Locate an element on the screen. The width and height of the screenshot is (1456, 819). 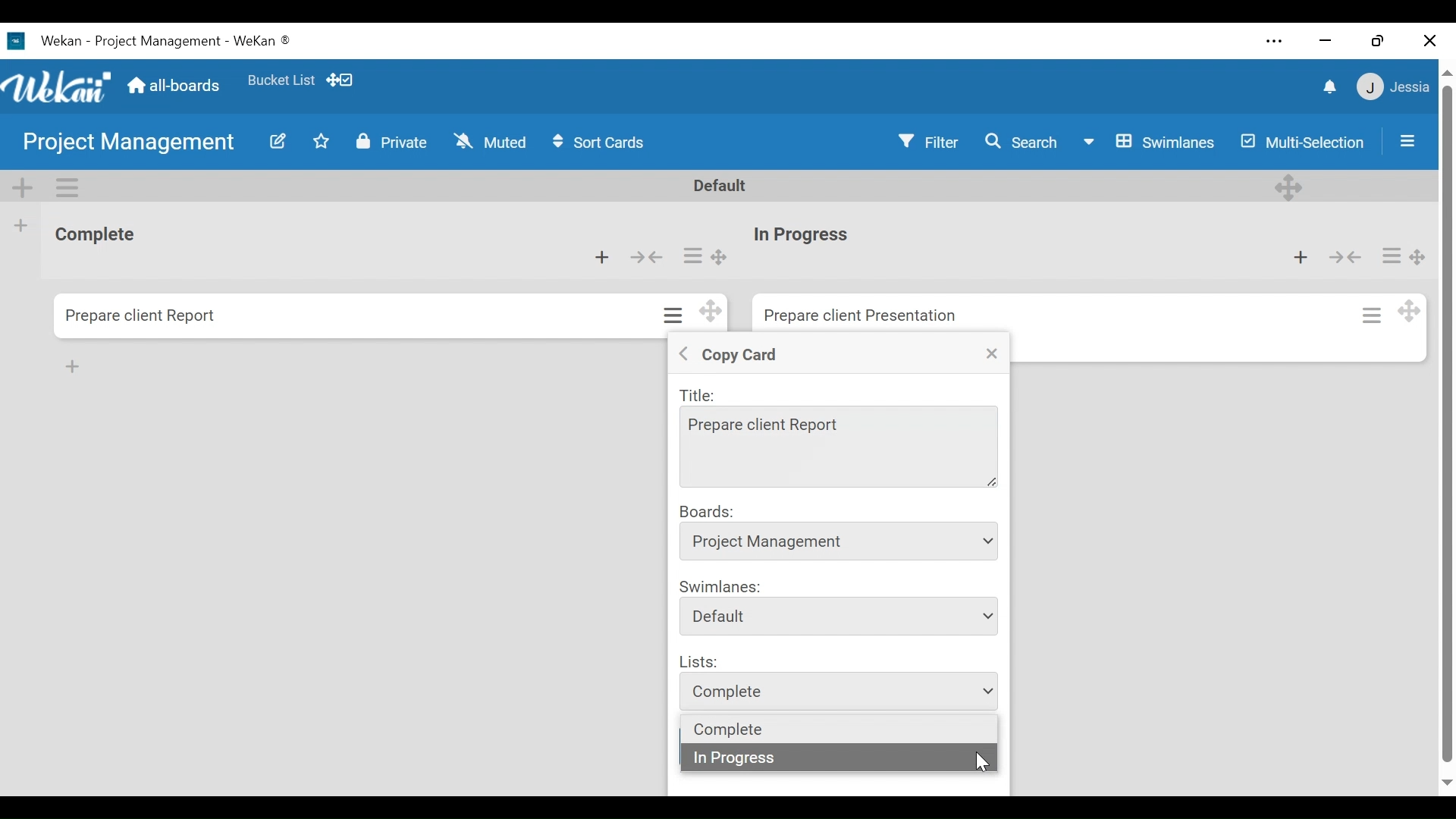
Card actions is located at coordinates (673, 316).